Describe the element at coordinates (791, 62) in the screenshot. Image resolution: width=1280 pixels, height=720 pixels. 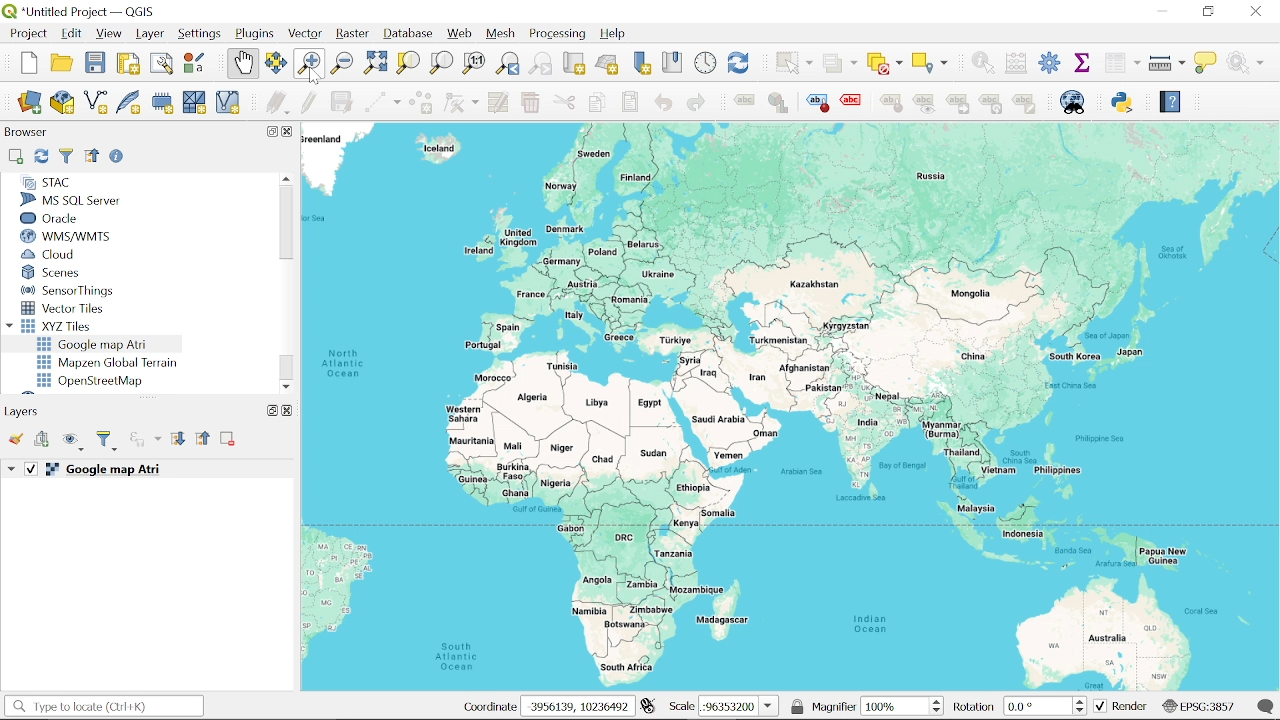
I see `Select features by area or single click` at that location.